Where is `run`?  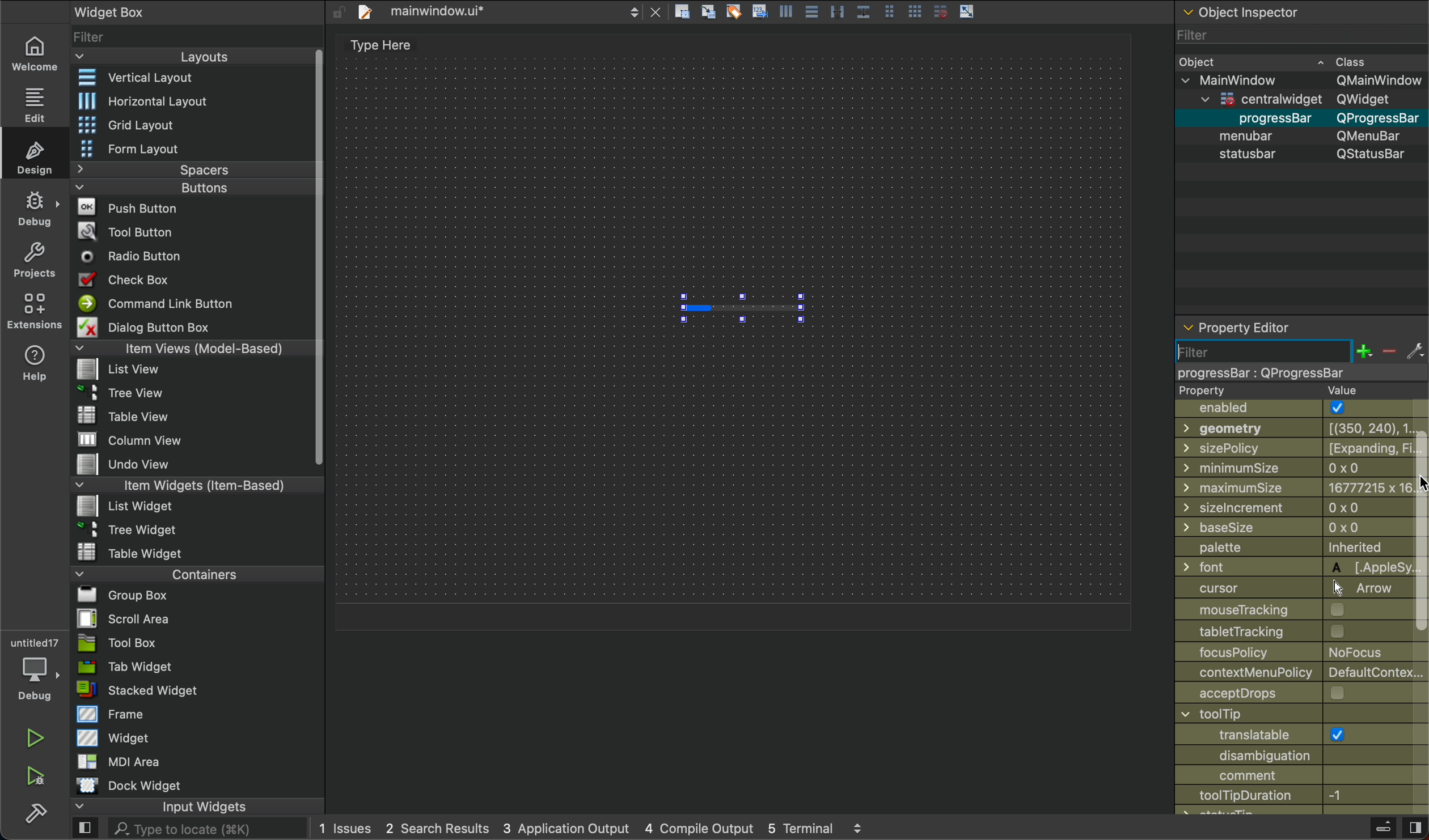
run is located at coordinates (36, 738).